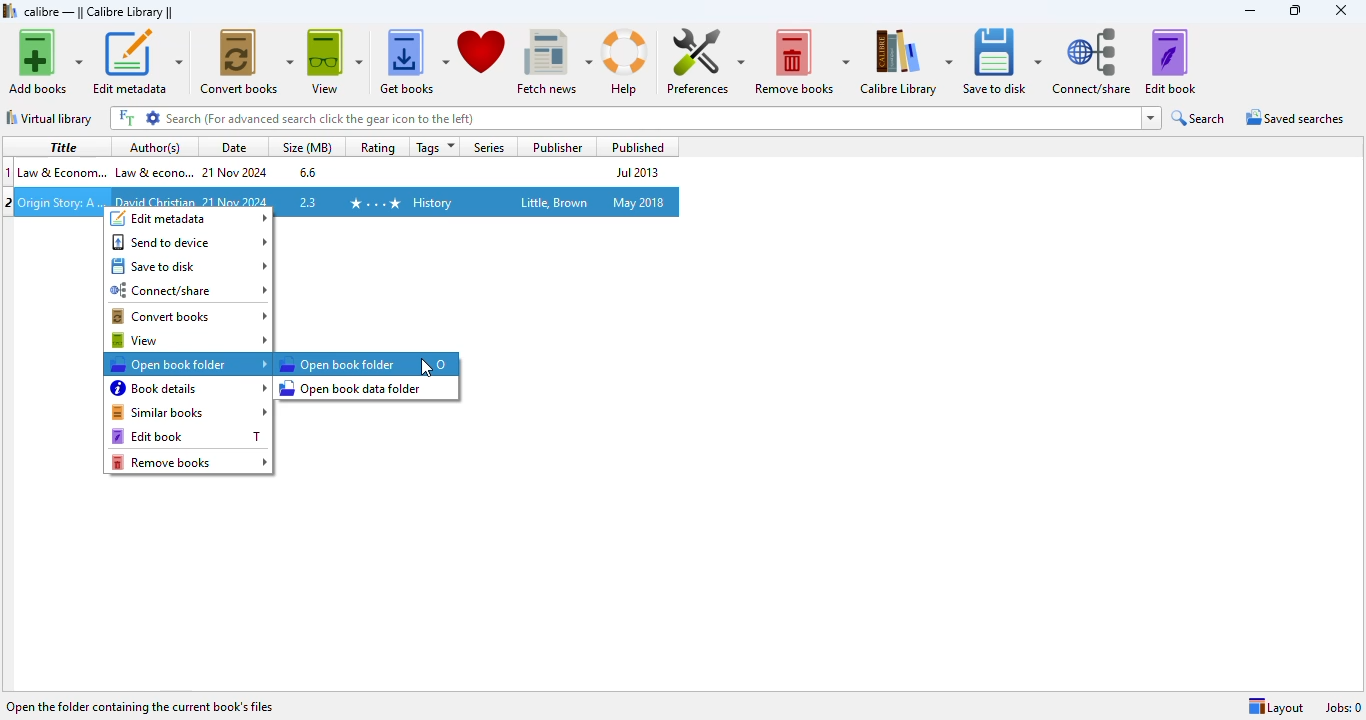 This screenshot has width=1366, height=720. I want to click on saved searches, so click(1293, 118).